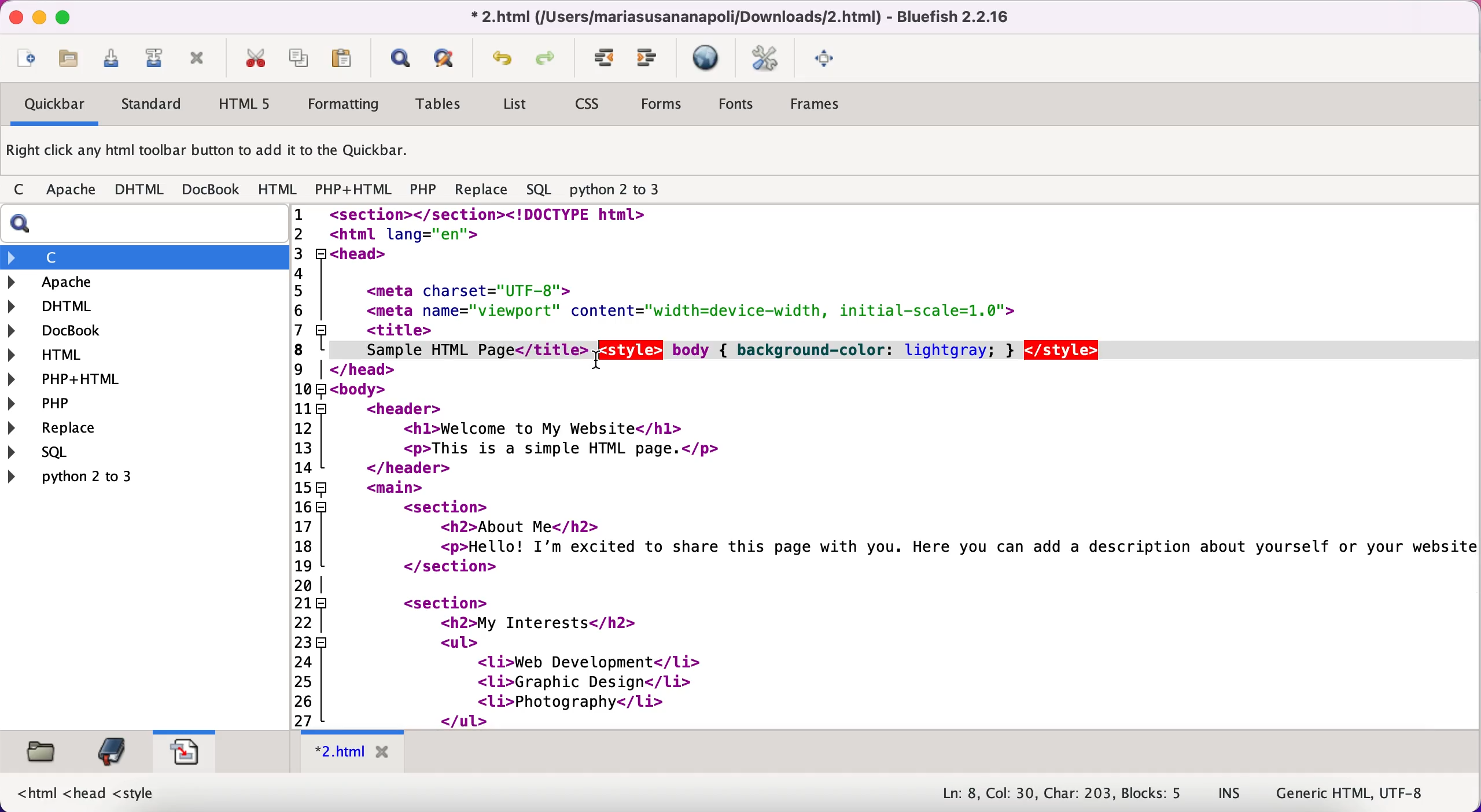  I want to click on html5, so click(242, 104).